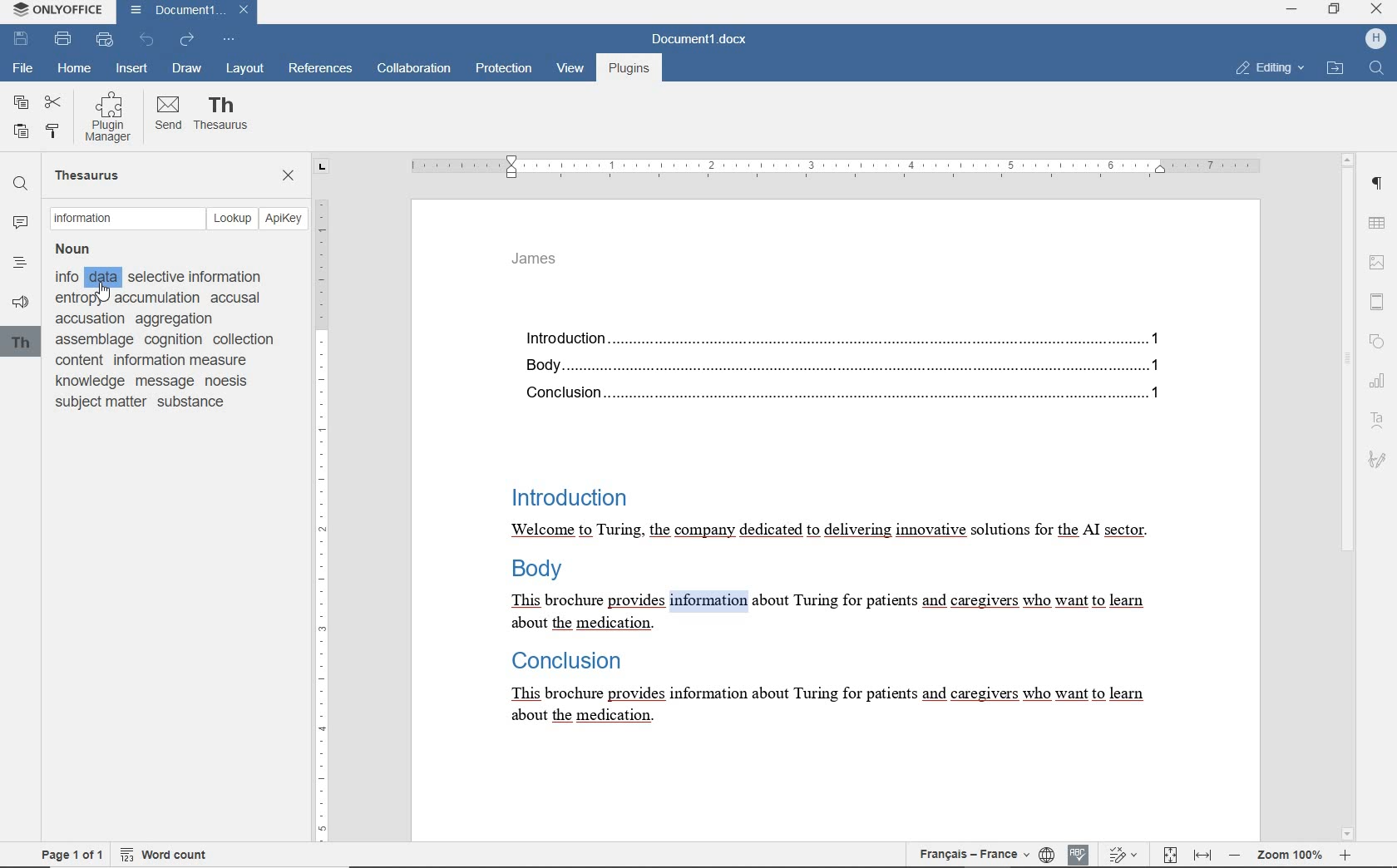 Image resolution: width=1397 pixels, height=868 pixels. What do you see at coordinates (187, 12) in the screenshot?
I see `DOCUMENT NAME` at bounding box center [187, 12].